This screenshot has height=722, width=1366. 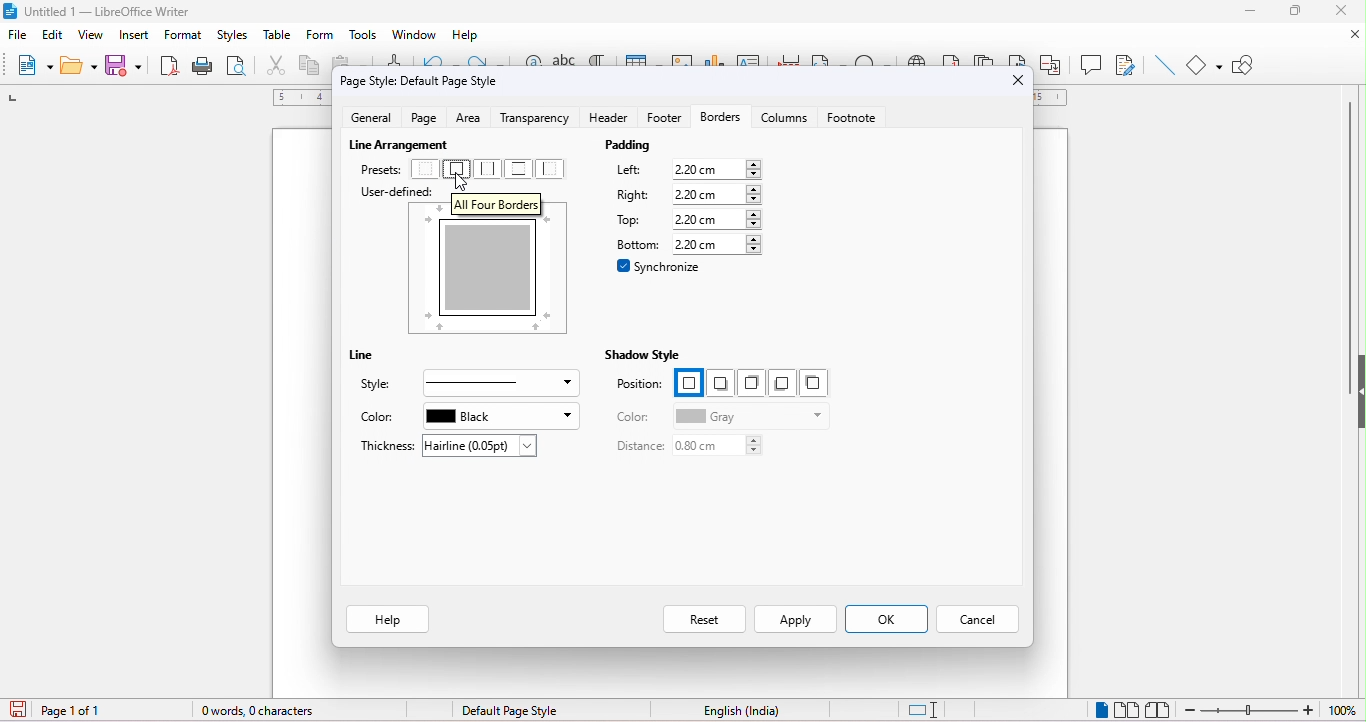 What do you see at coordinates (426, 118) in the screenshot?
I see `page` at bounding box center [426, 118].